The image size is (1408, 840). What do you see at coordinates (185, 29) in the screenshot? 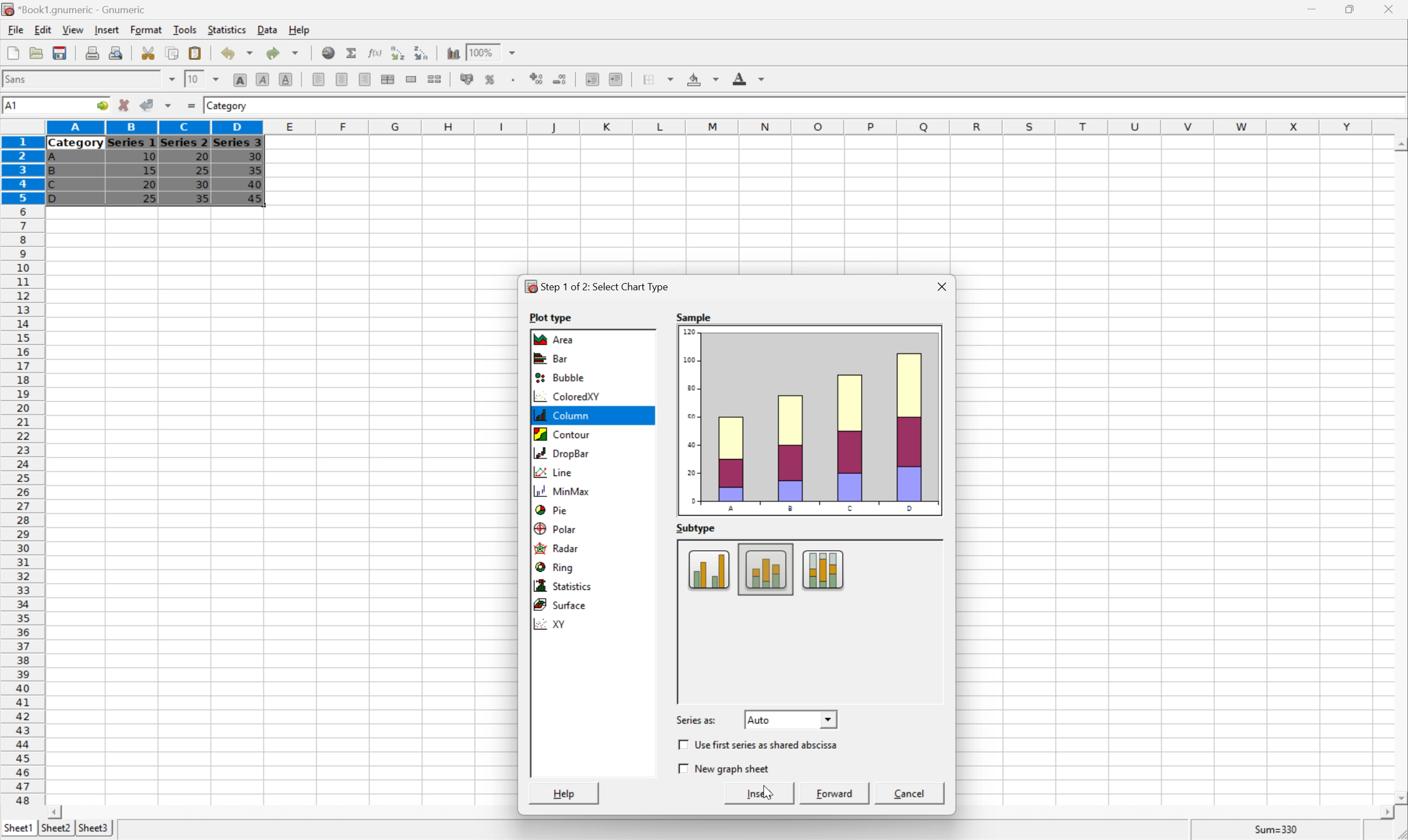
I see `Tools` at bounding box center [185, 29].